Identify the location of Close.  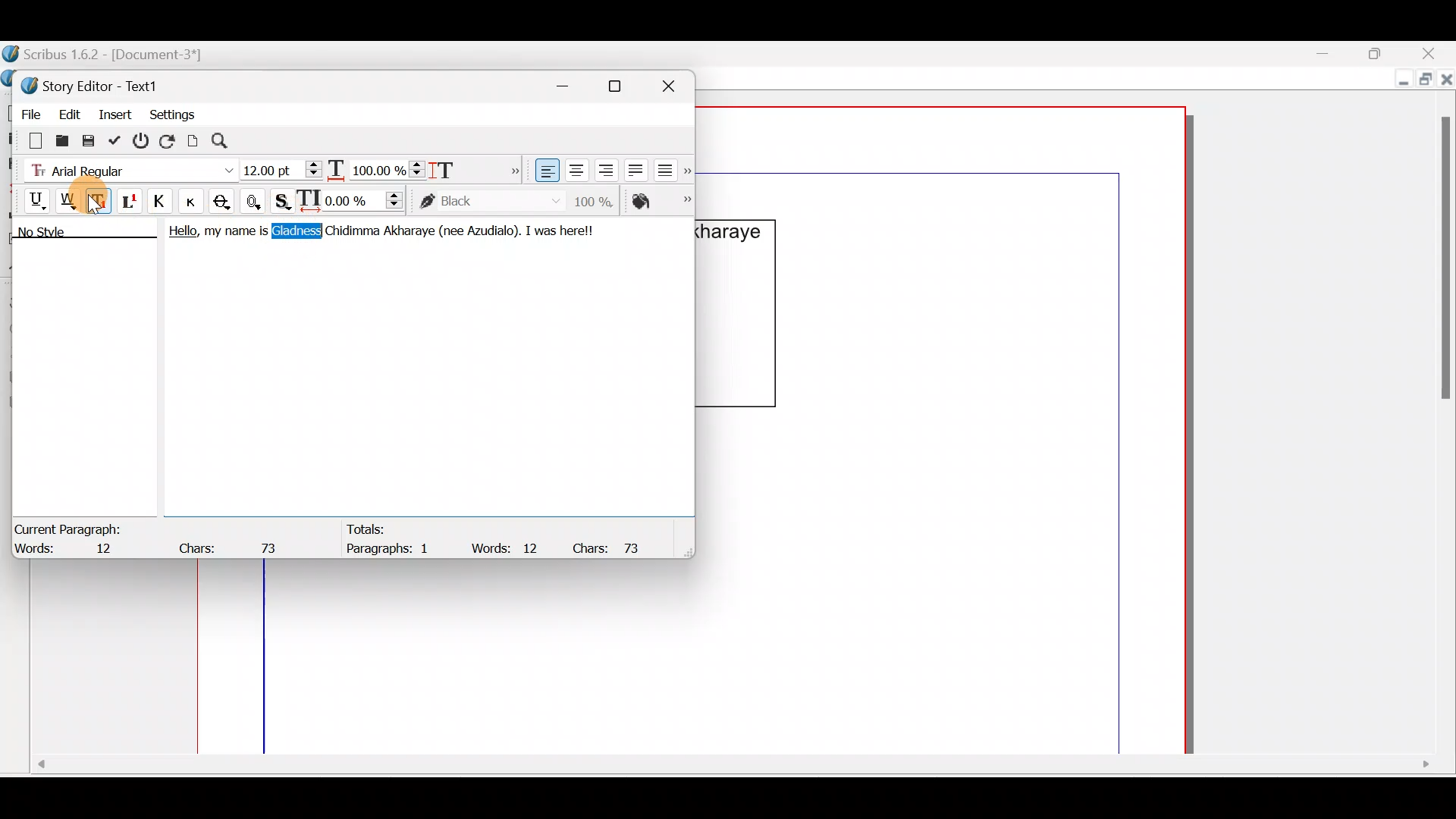
(675, 83).